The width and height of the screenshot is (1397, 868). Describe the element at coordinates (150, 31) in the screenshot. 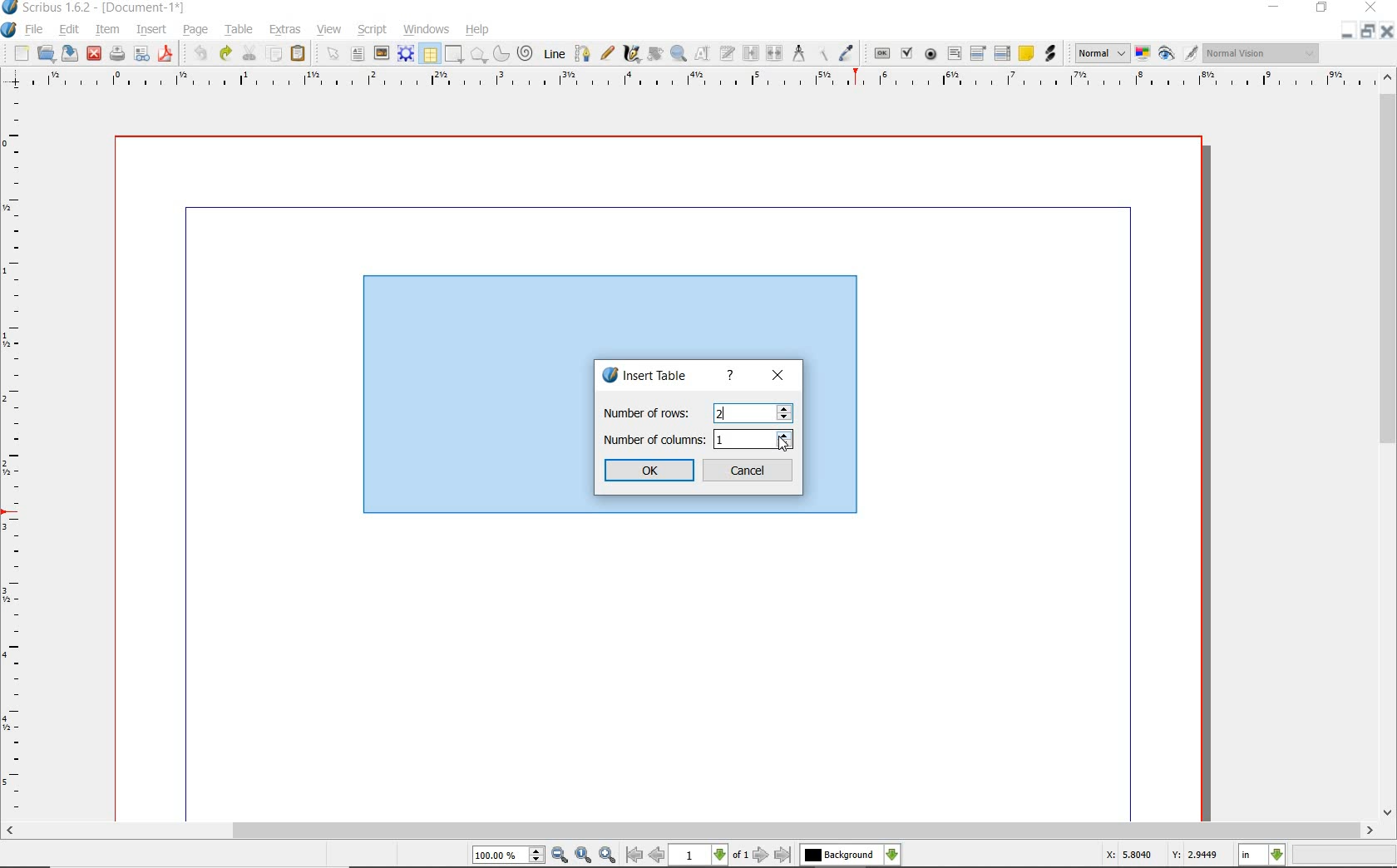

I see `insert` at that location.